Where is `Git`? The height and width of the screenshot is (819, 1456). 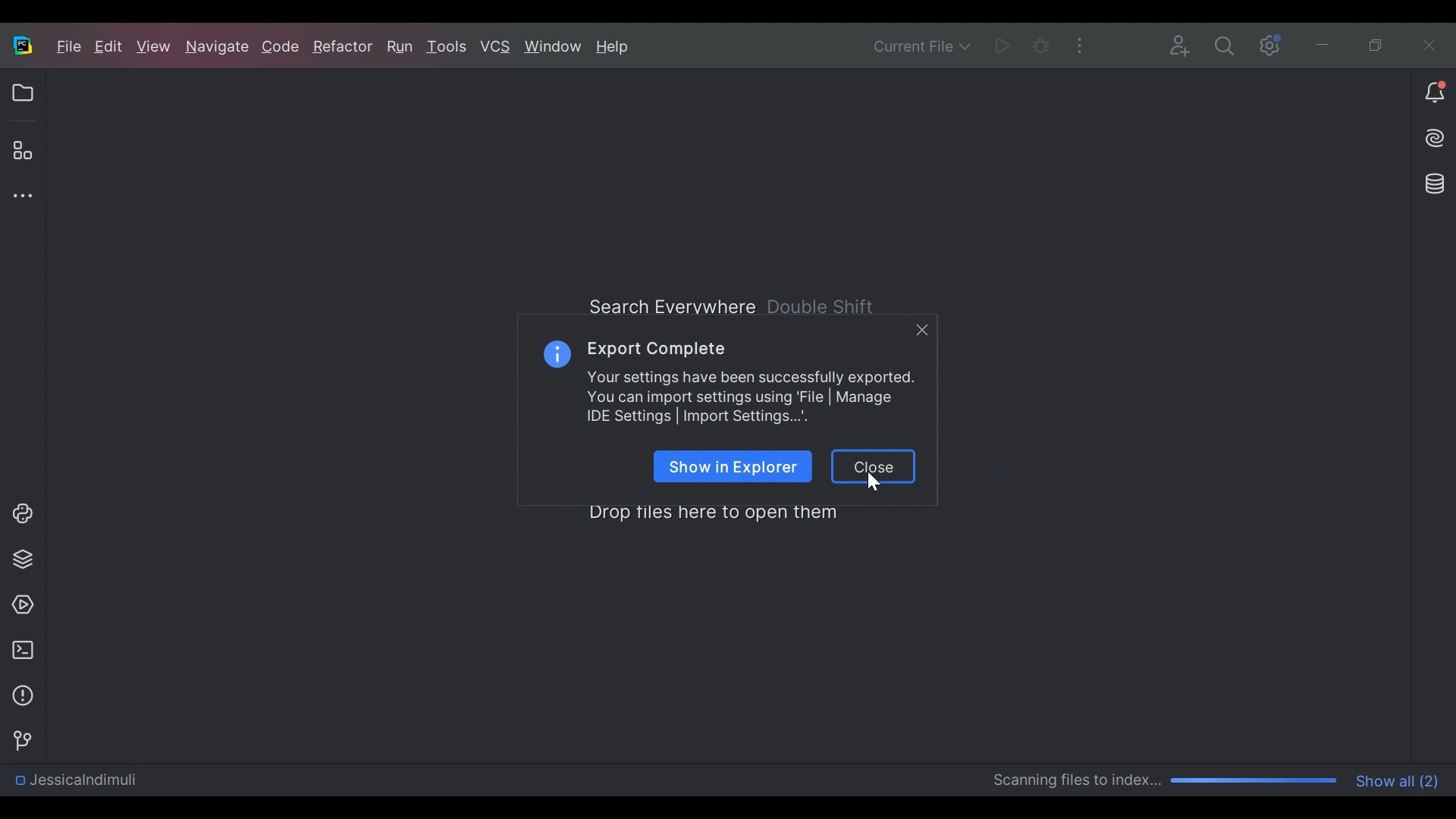
Git is located at coordinates (18, 739).